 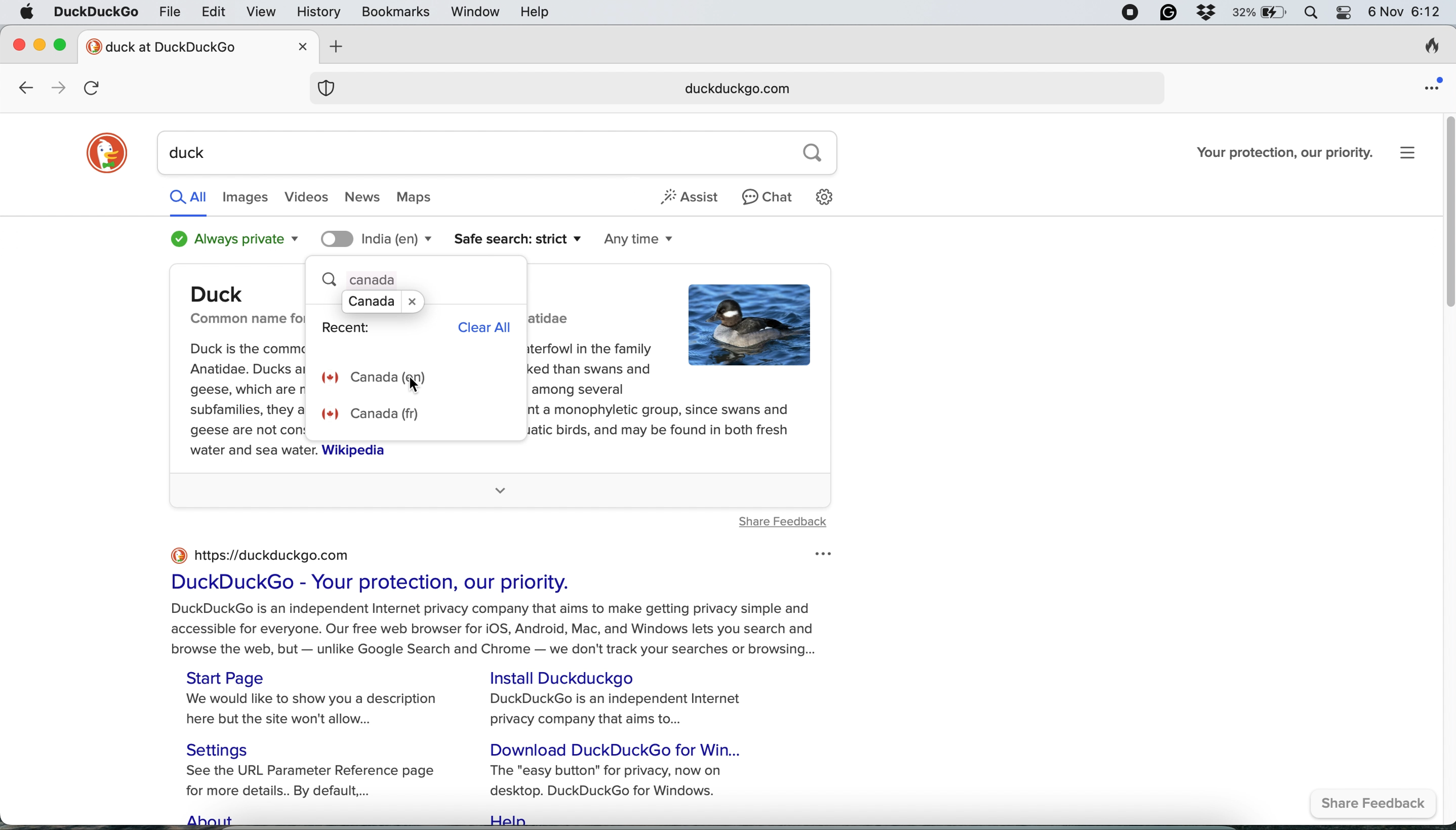 What do you see at coordinates (363, 198) in the screenshot?
I see `news` at bounding box center [363, 198].